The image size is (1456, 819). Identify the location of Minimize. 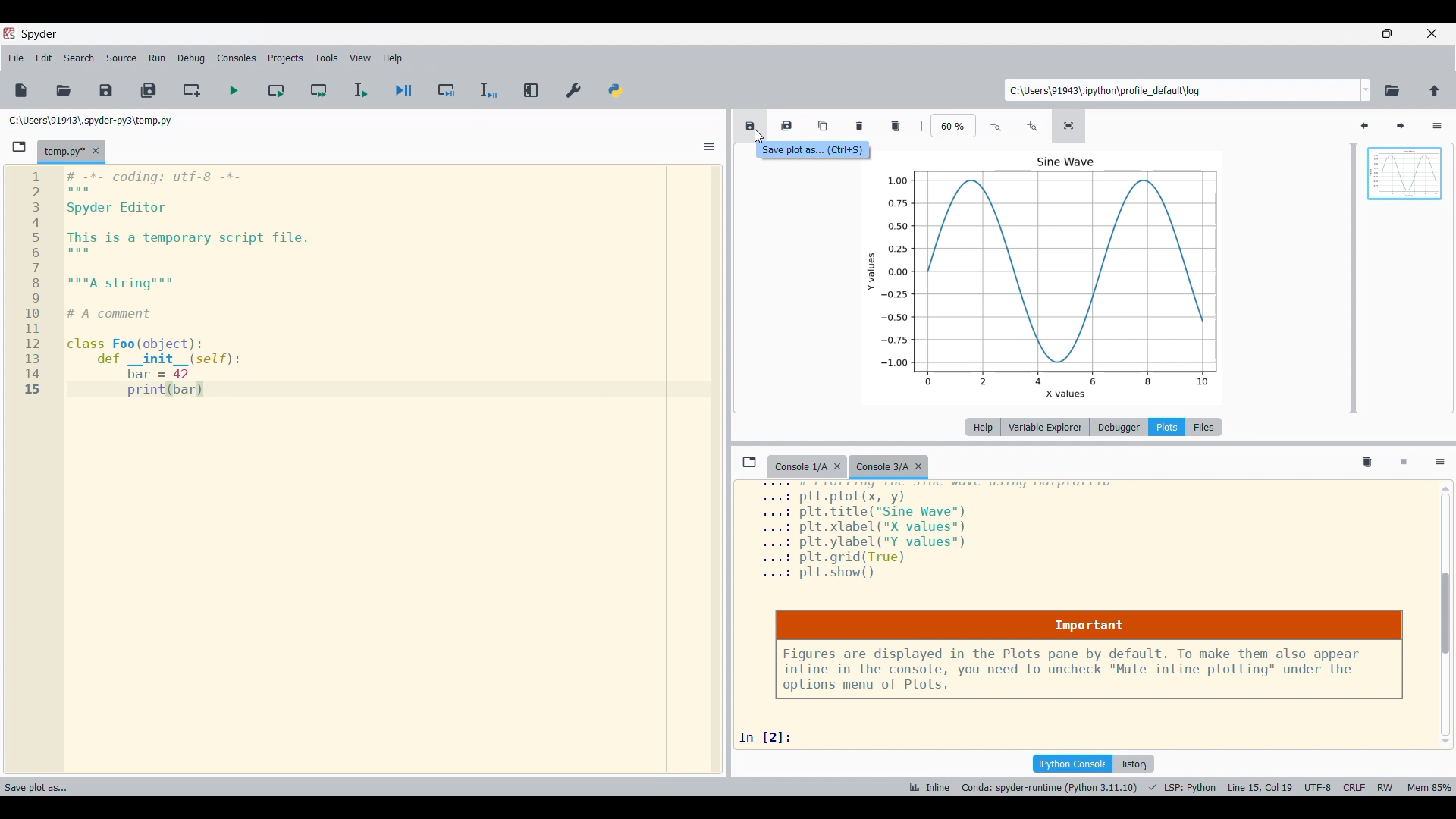
(1345, 33).